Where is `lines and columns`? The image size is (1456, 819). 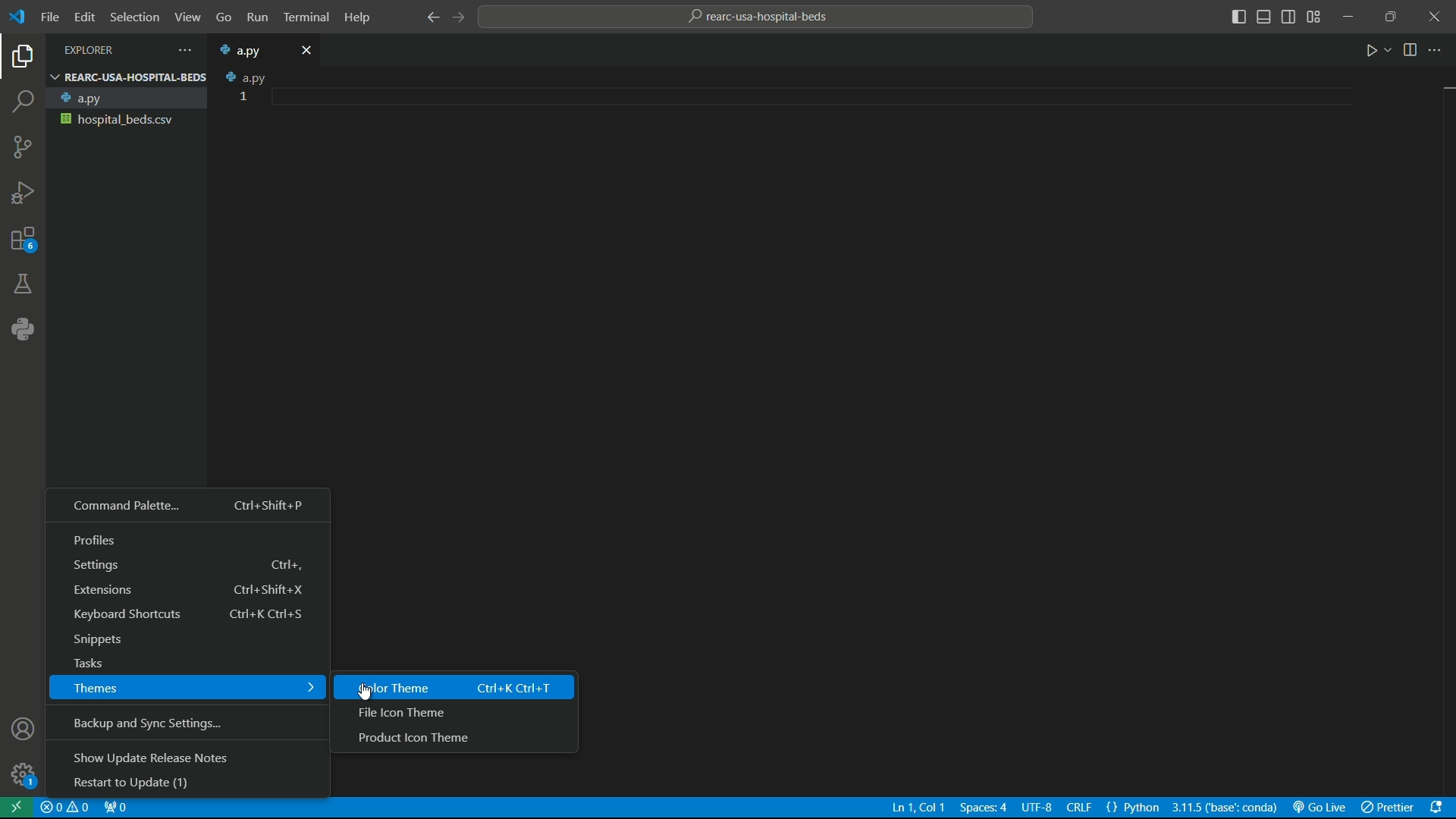
lines and columns is located at coordinates (918, 808).